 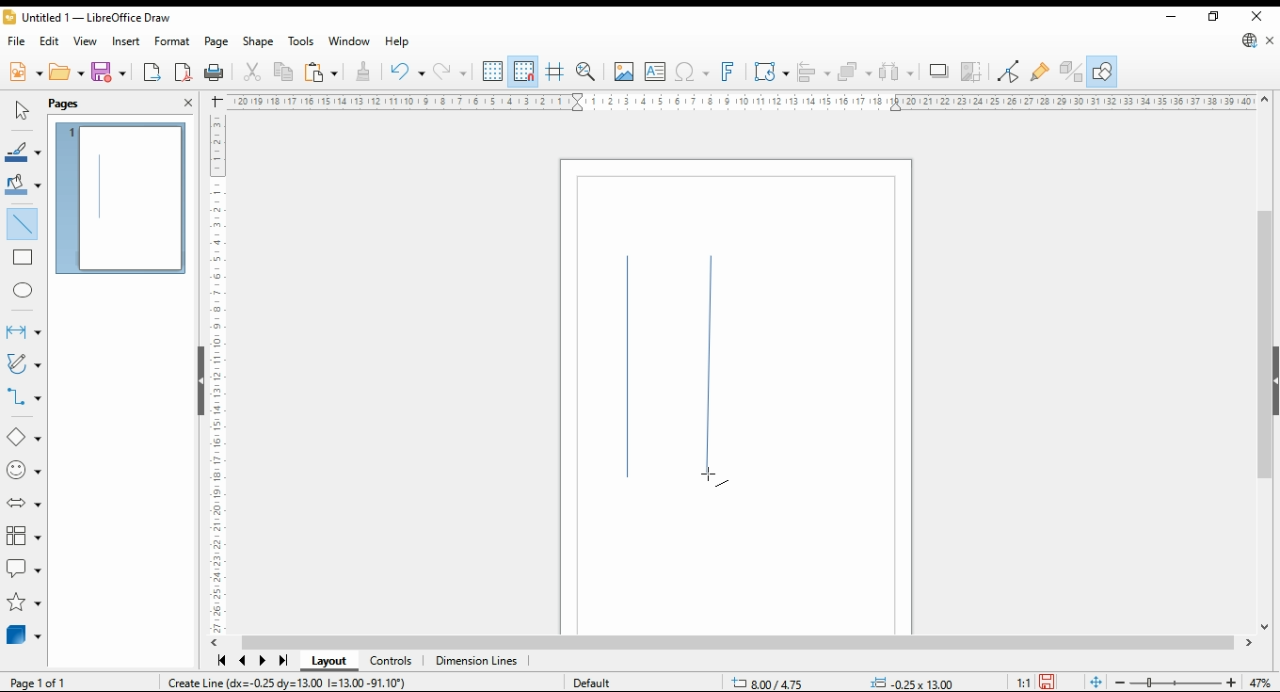 I want to click on page, so click(x=216, y=42).